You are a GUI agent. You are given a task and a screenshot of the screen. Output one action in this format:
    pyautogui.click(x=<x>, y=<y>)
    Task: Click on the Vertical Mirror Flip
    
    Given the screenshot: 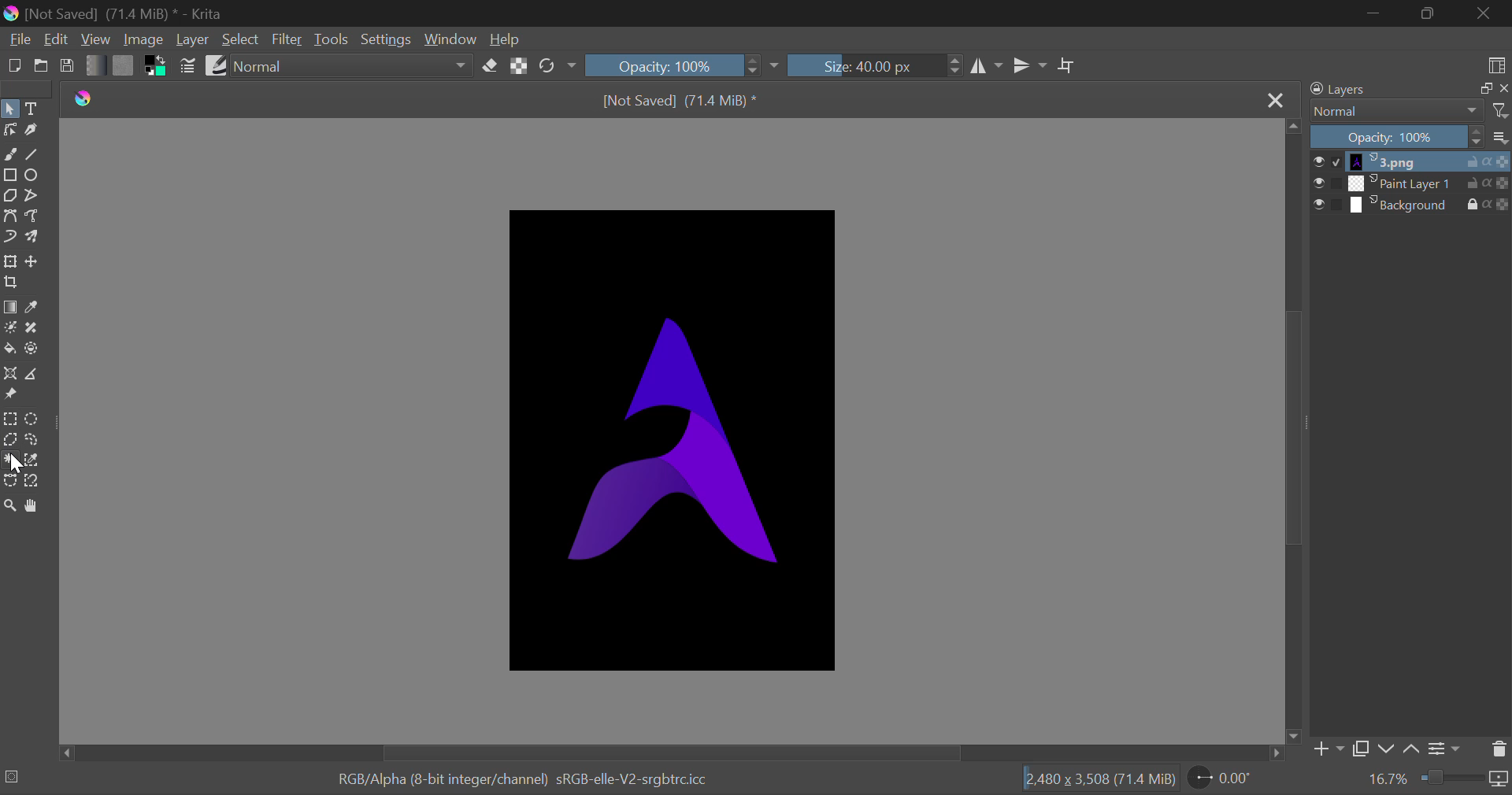 What is the action you would take?
    pyautogui.click(x=988, y=66)
    